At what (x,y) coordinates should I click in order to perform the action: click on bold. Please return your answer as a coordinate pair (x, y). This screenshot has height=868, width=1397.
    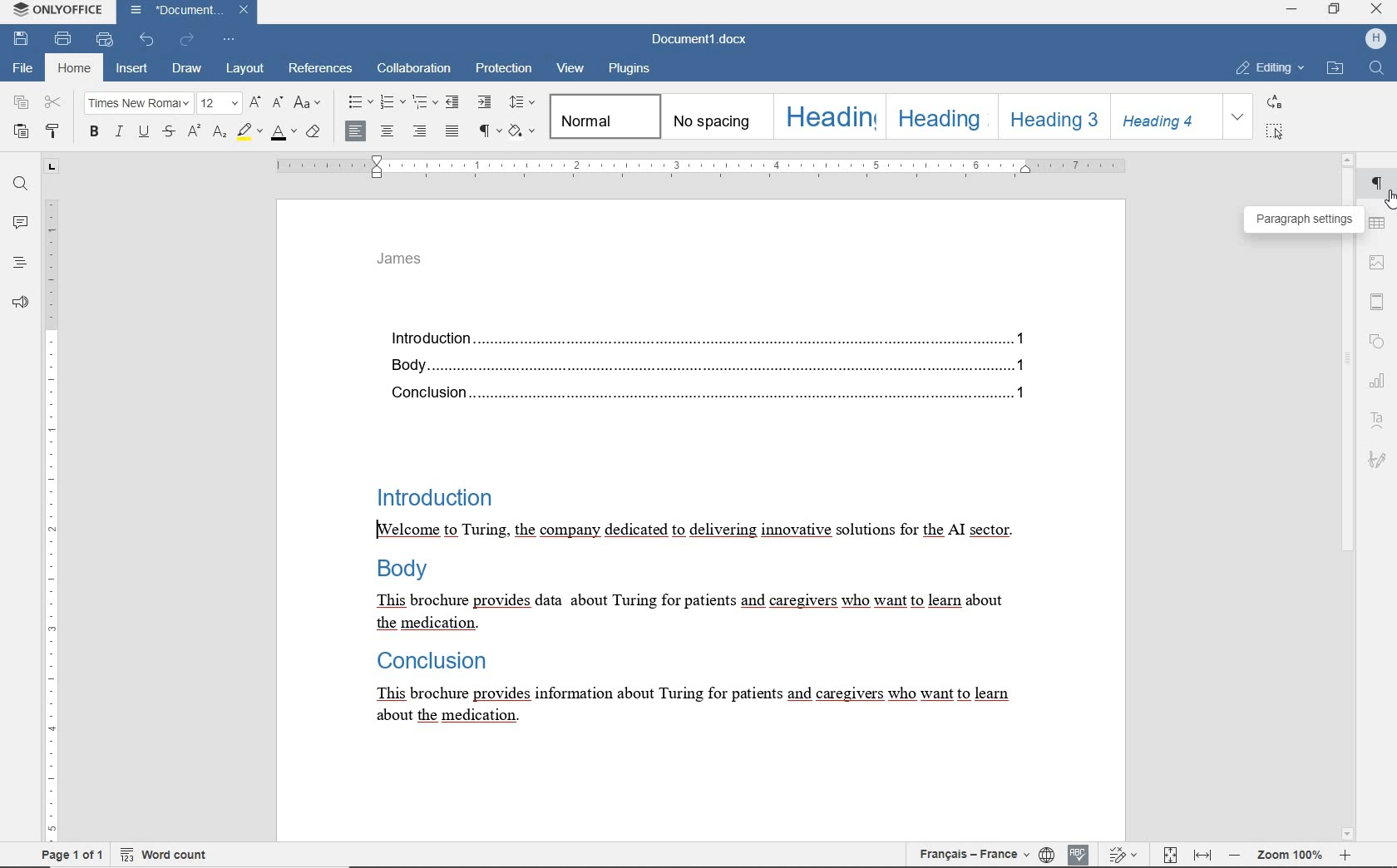
    Looking at the image, I should click on (95, 133).